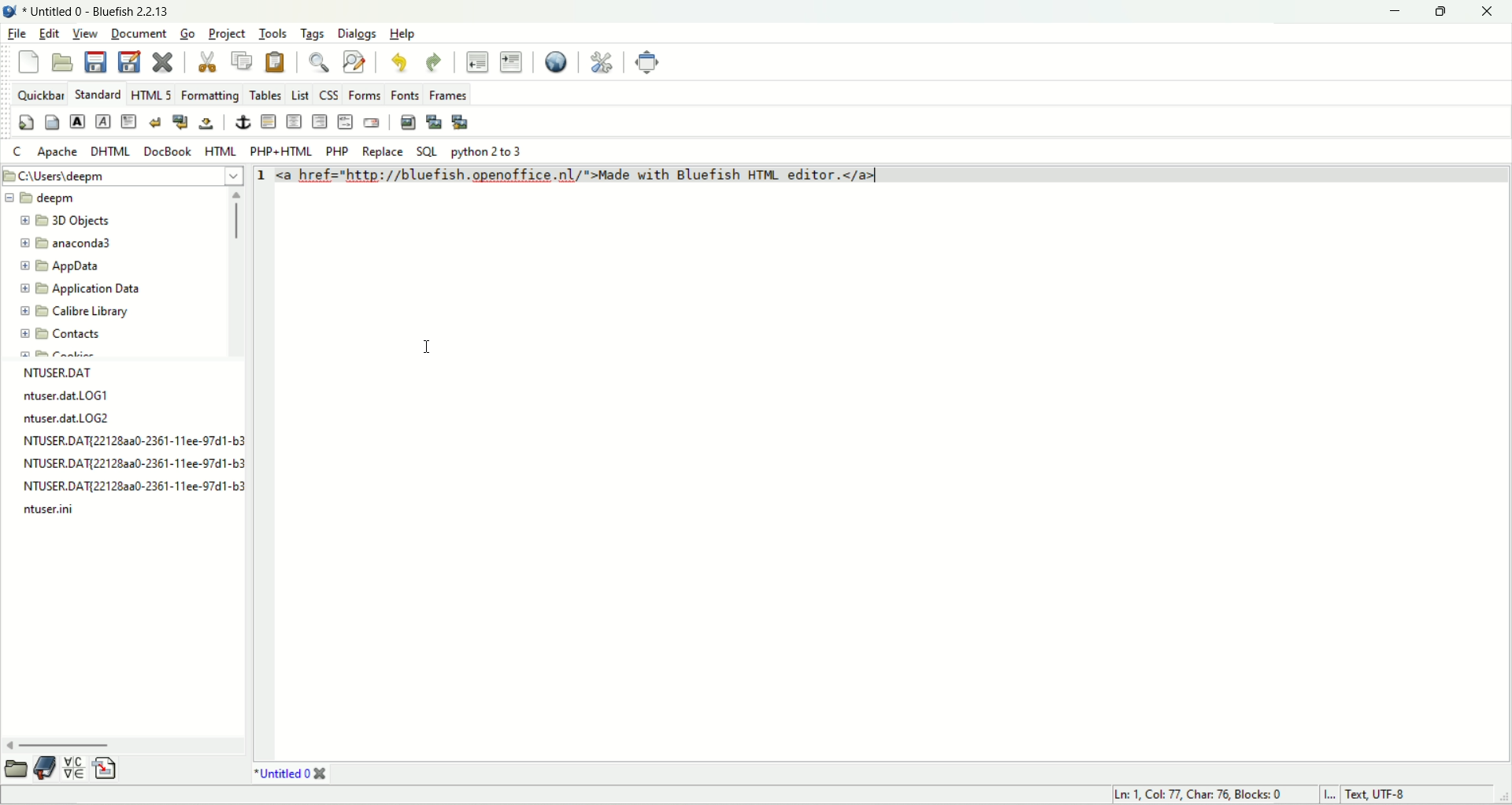 The height and width of the screenshot is (805, 1512). I want to click on tables, so click(264, 93).